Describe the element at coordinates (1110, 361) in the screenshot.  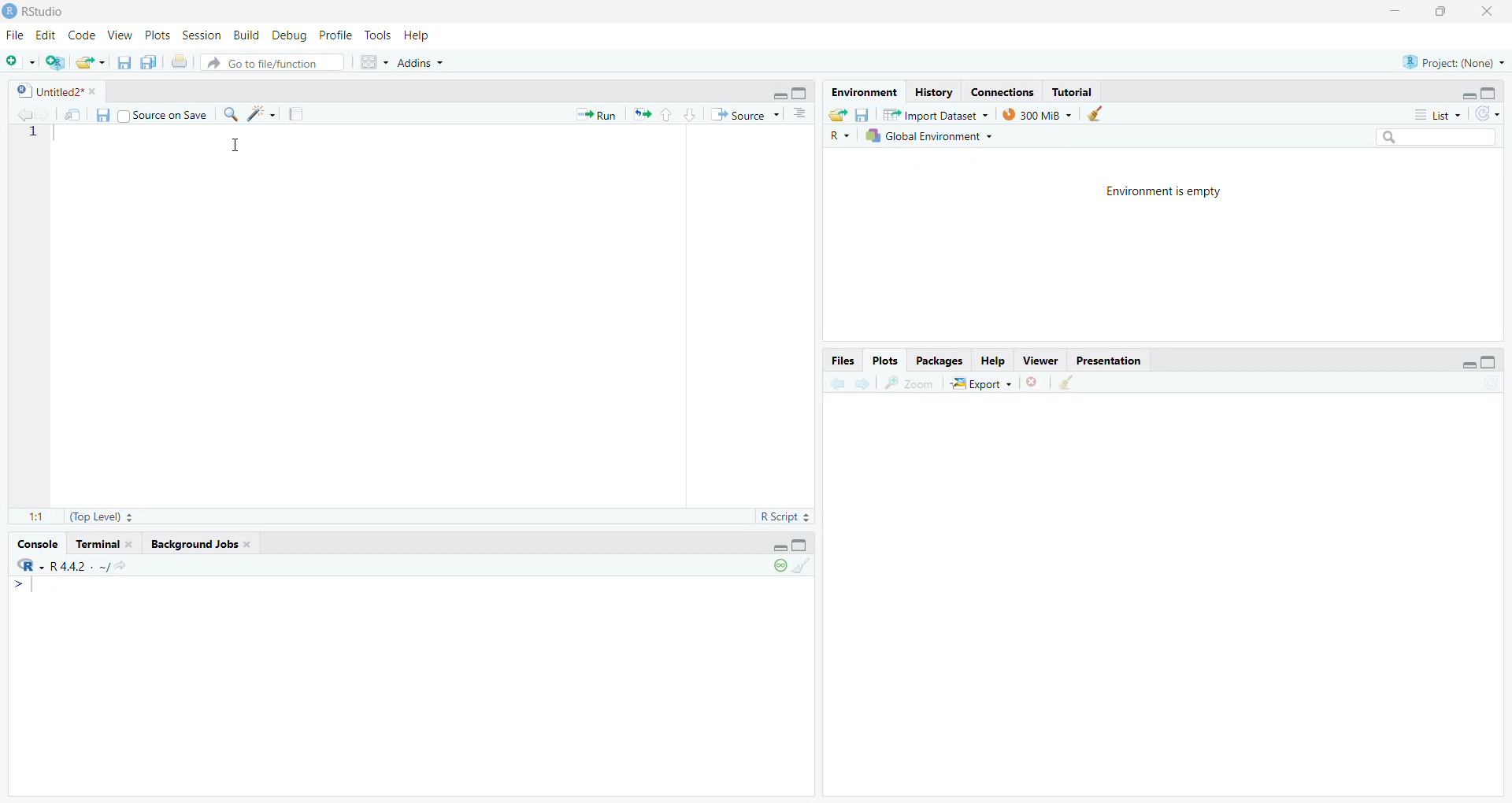
I see `Presentation` at that location.